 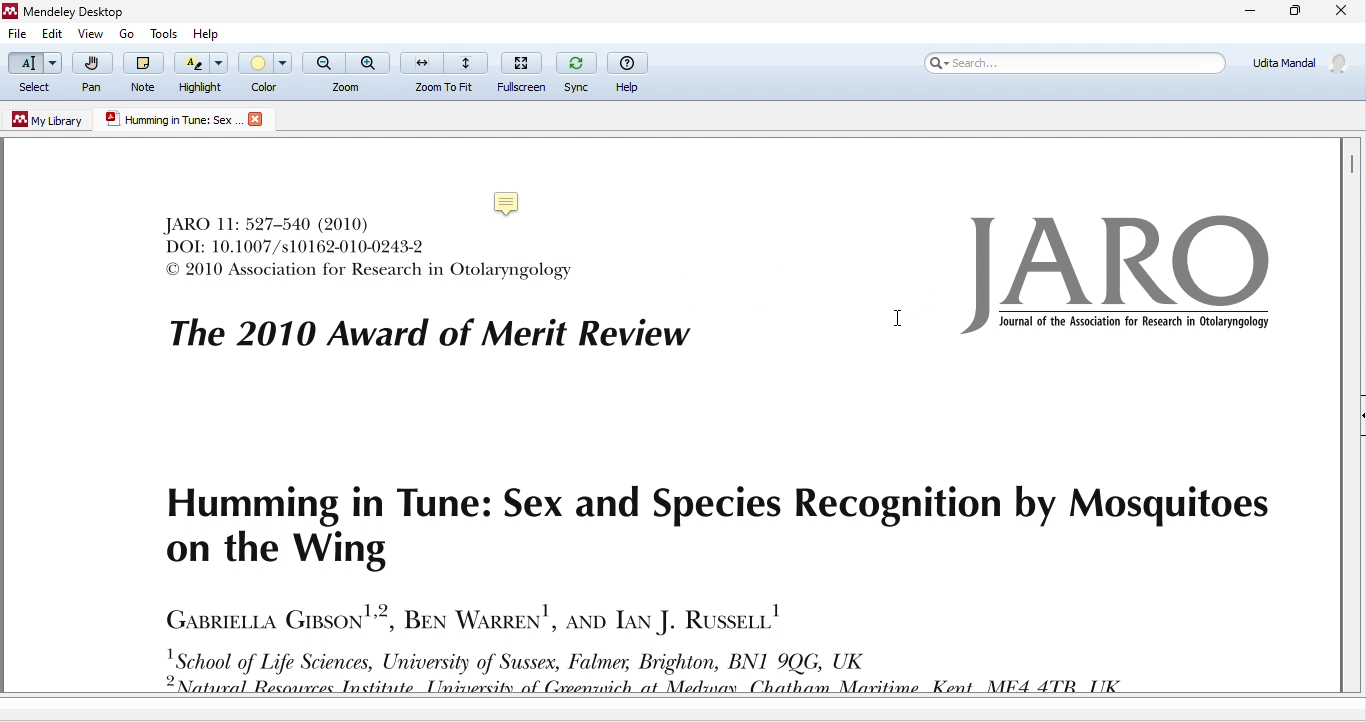 I want to click on highlight, so click(x=202, y=73).